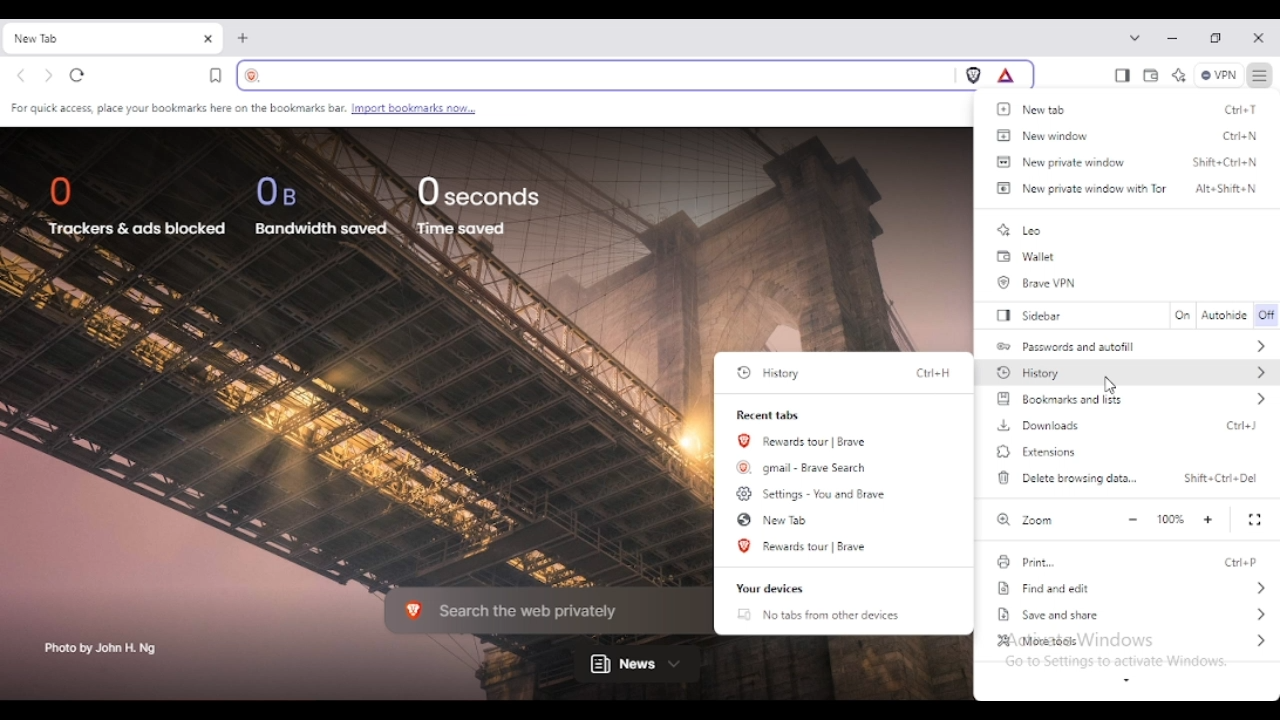 The width and height of the screenshot is (1280, 720). I want to click on 0 seconds time saved, so click(479, 205).